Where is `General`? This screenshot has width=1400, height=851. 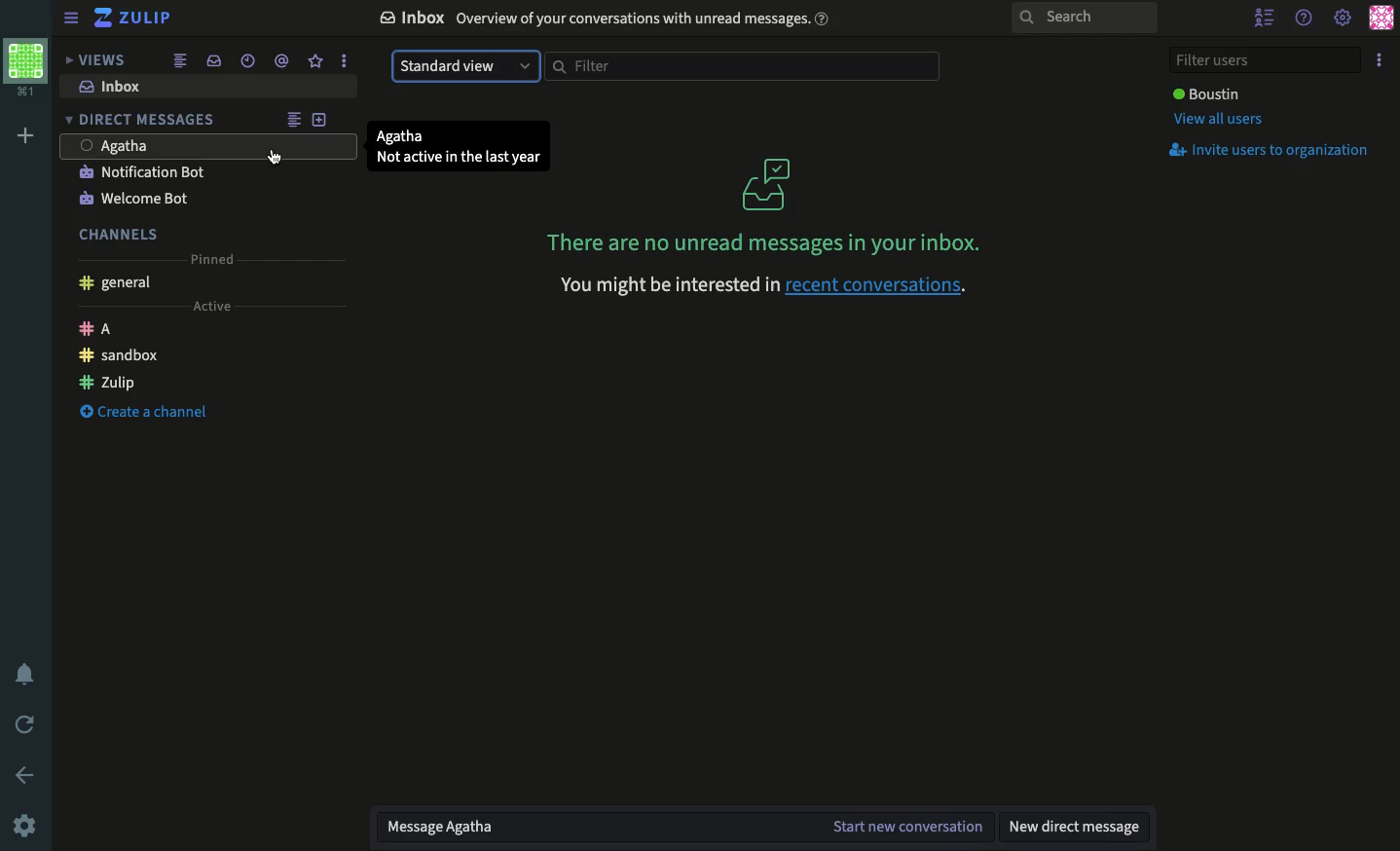 General is located at coordinates (110, 284).